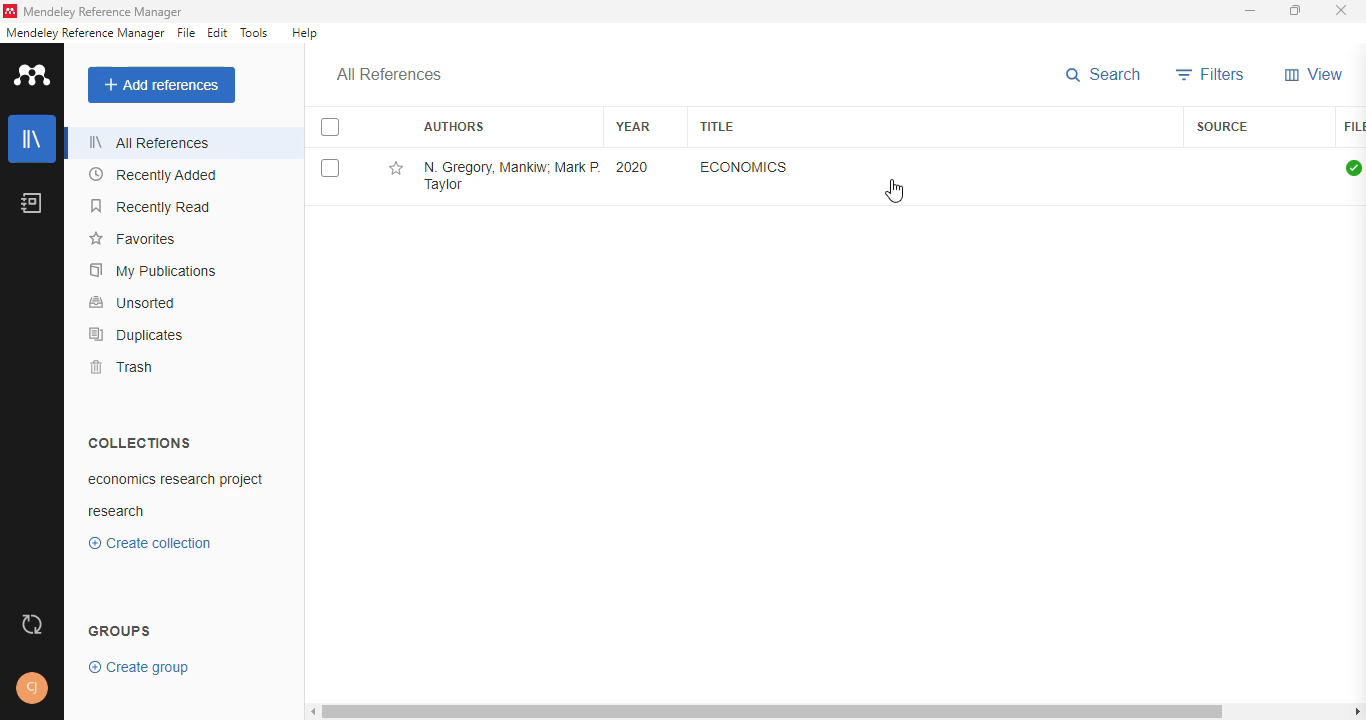 The image size is (1366, 720). What do you see at coordinates (1222, 125) in the screenshot?
I see `source` at bounding box center [1222, 125].